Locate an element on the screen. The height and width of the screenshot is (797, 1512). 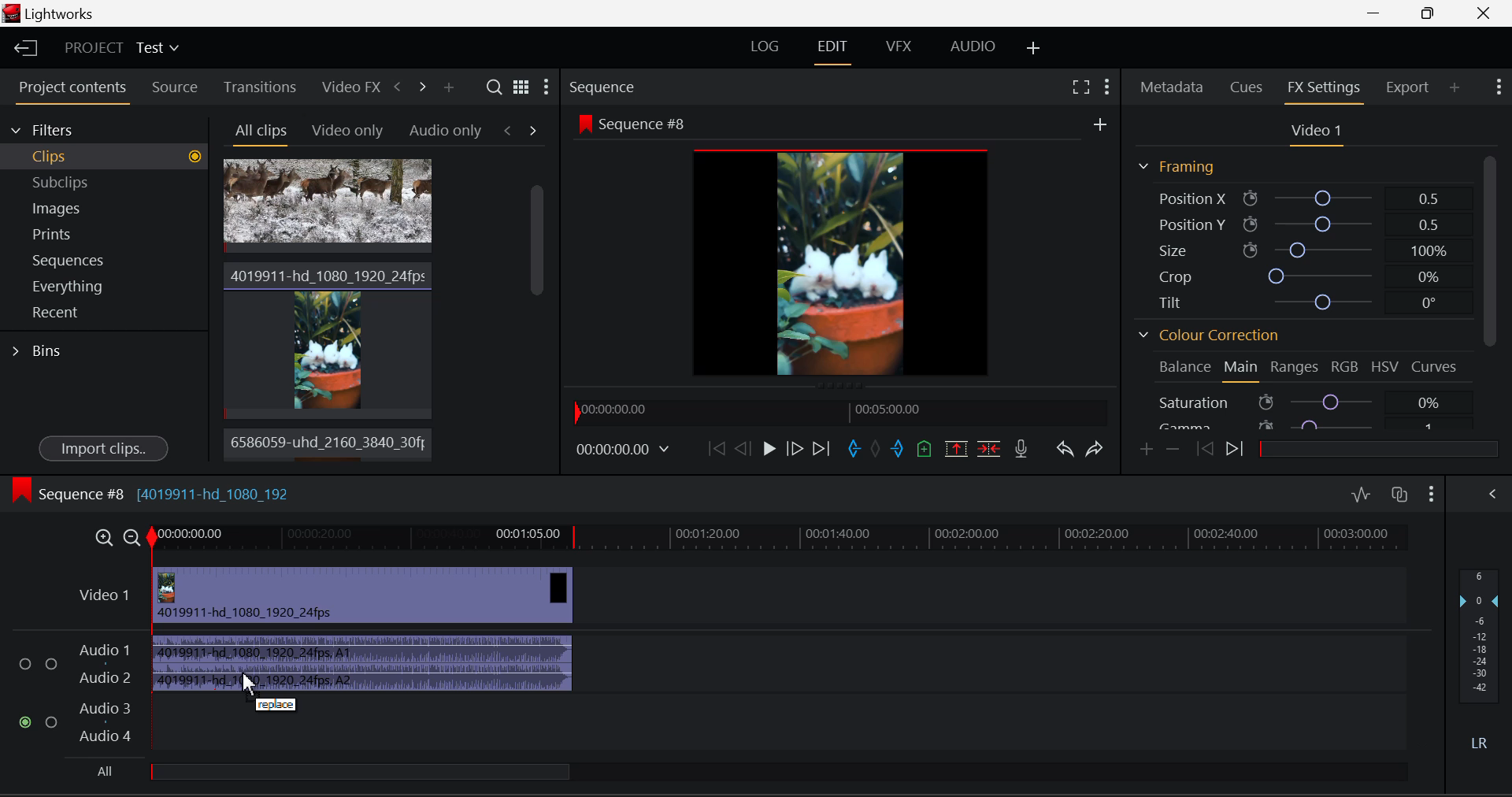
Gamma is located at coordinates (1310, 424).